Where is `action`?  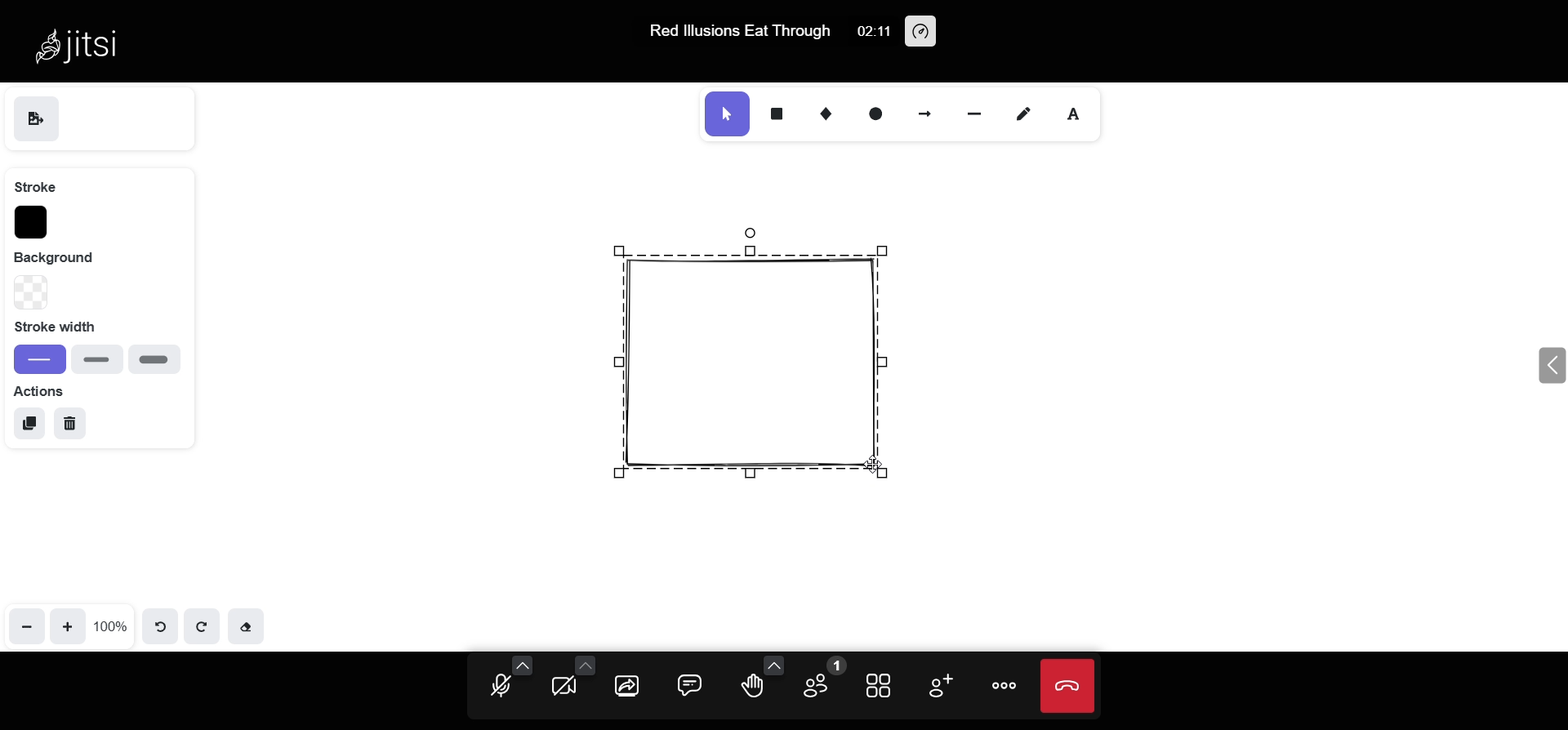
action is located at coordinates (68, 391).